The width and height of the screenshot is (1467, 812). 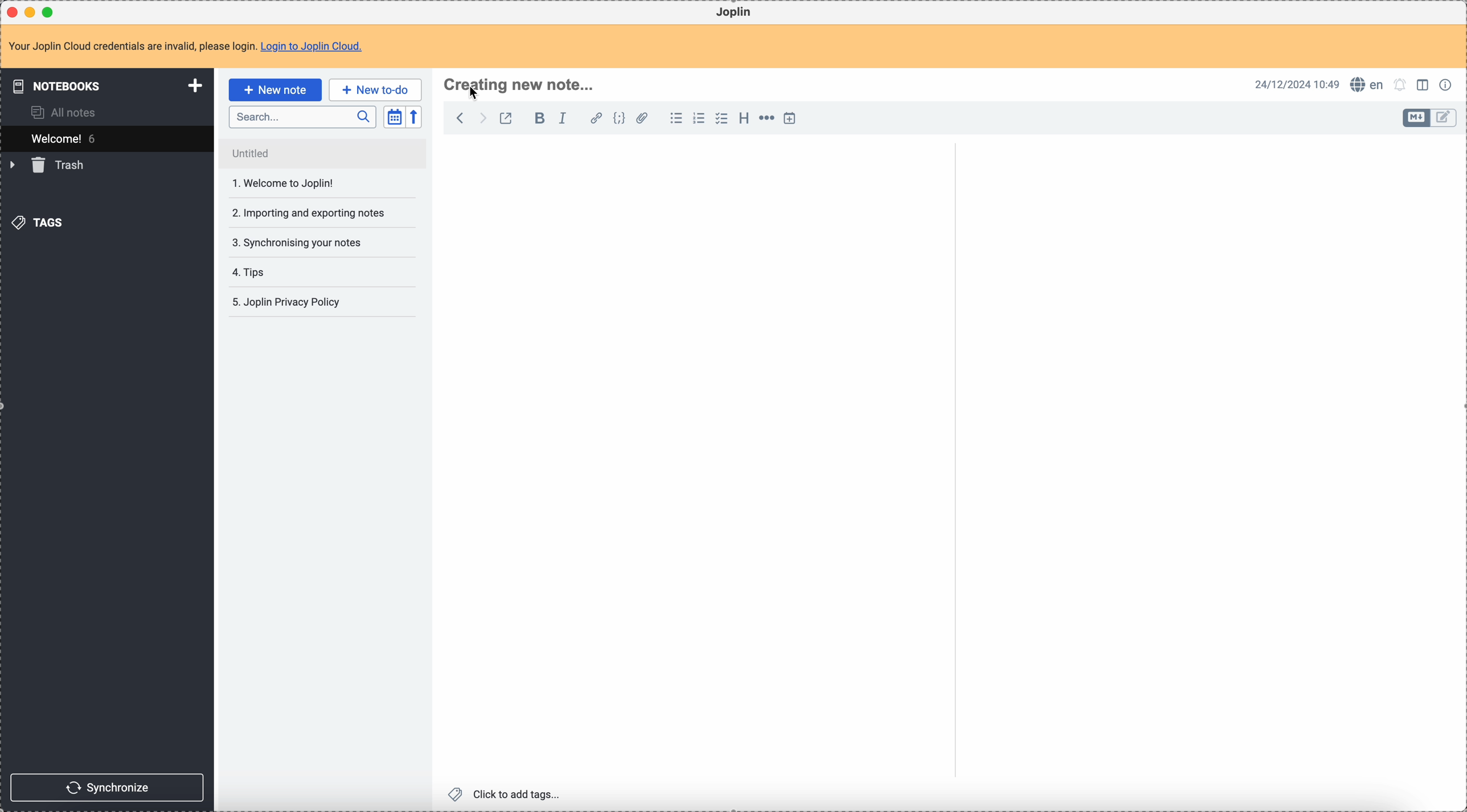 What do you see at coordinates (461, 118) in the screenshot?
I see `back` at bounding box center [461, 118].